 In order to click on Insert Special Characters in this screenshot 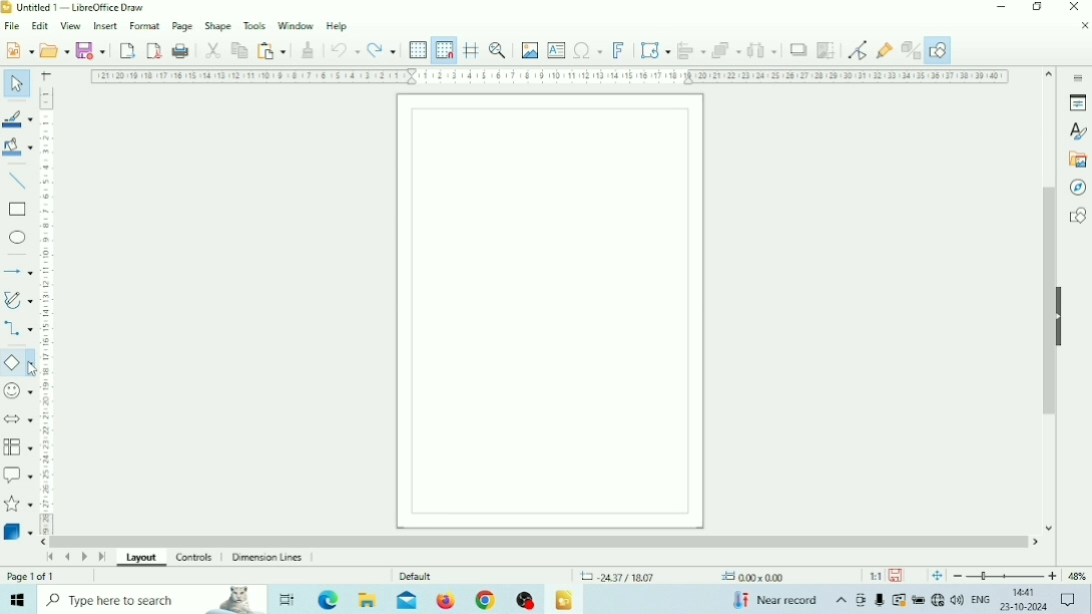, I will do `click(588, 50)`.